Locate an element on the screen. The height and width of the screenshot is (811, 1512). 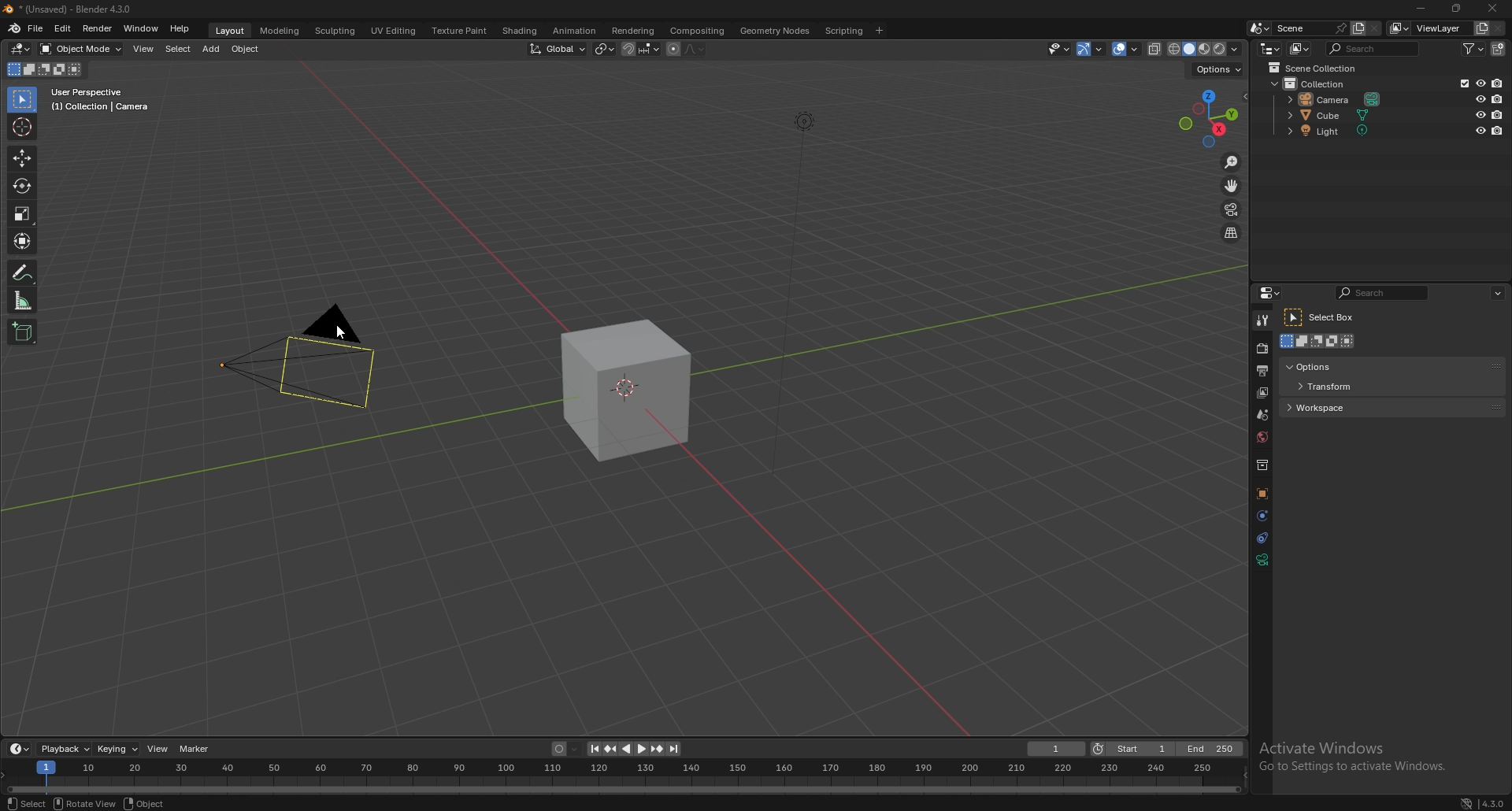
uv editing is located at coordinates (393, 31).